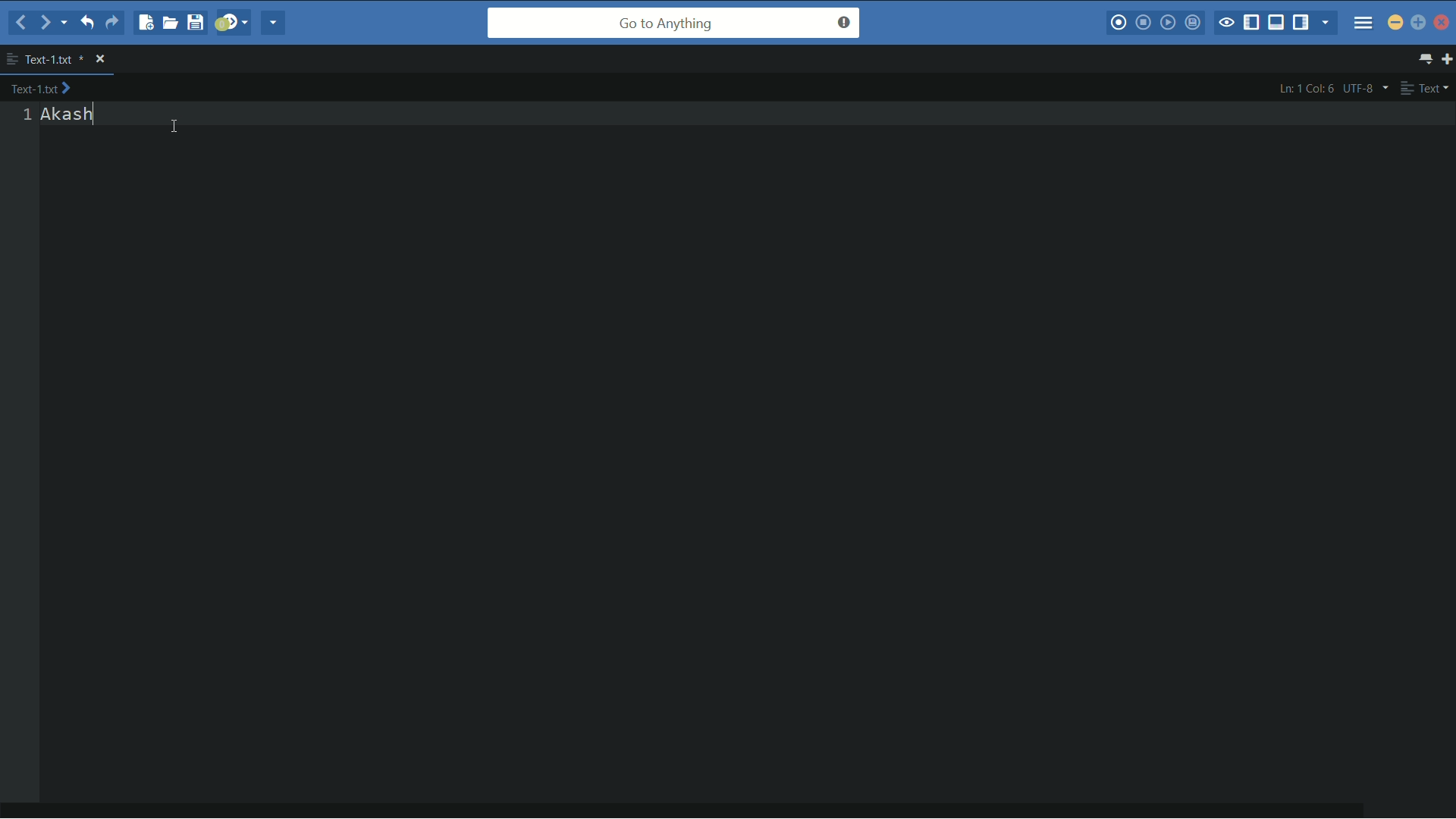 The image size is (1456, 819). I want to click on forward, so click(52, 24).